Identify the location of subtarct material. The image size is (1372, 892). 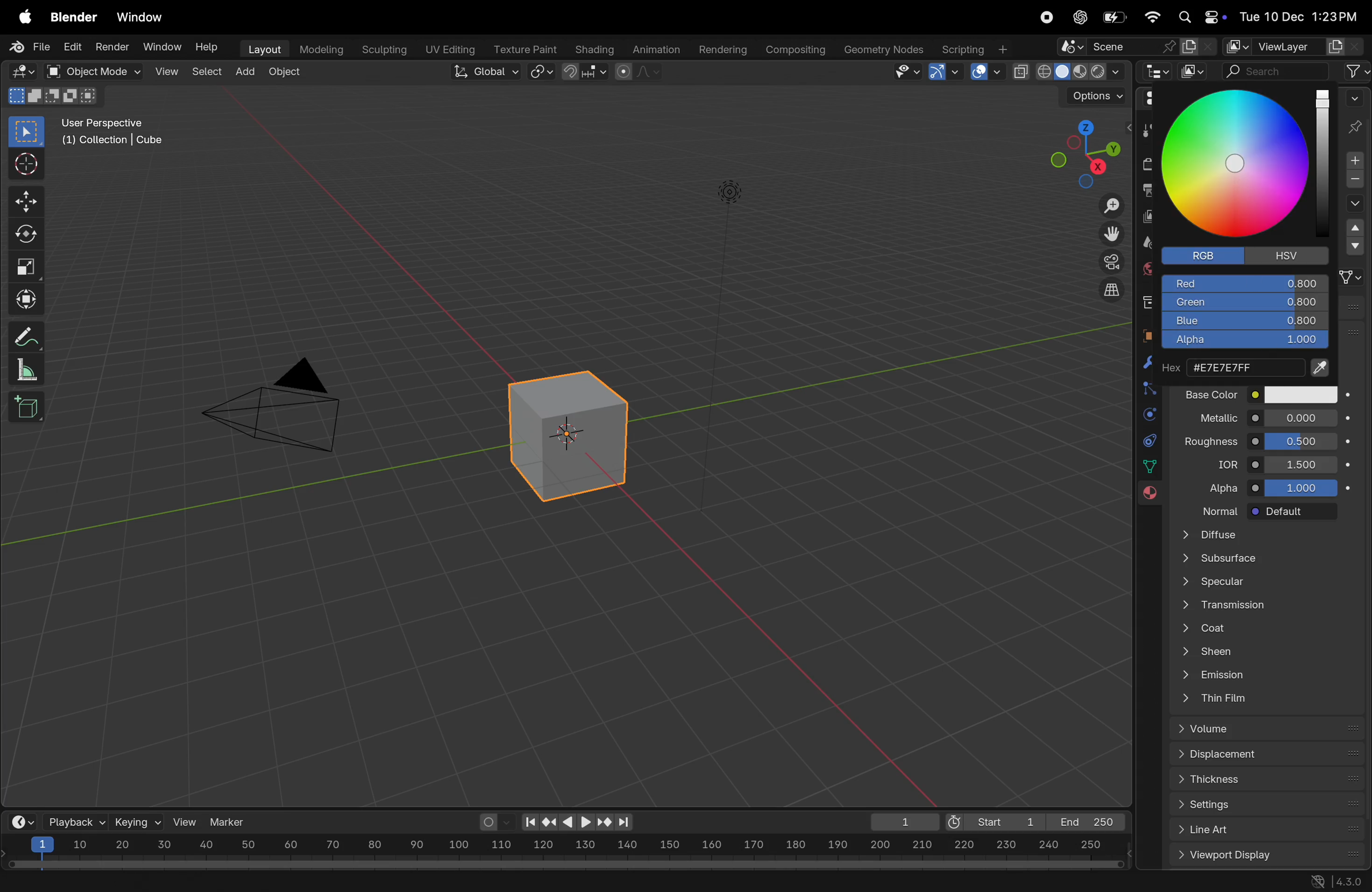
(1352, 182).